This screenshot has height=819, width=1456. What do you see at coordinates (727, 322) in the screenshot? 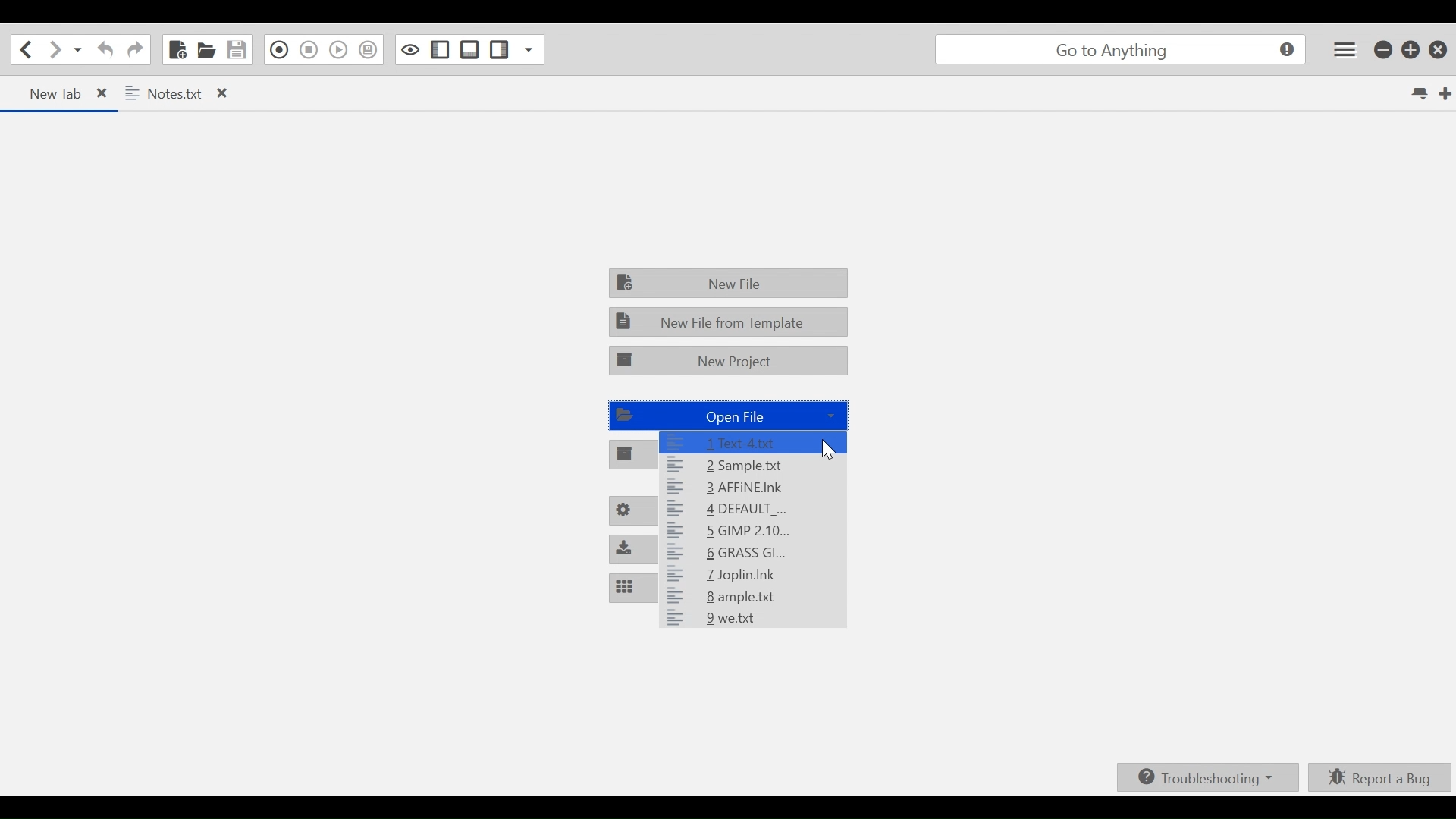
I see `New File from Template` at bounding box center [727, 322].